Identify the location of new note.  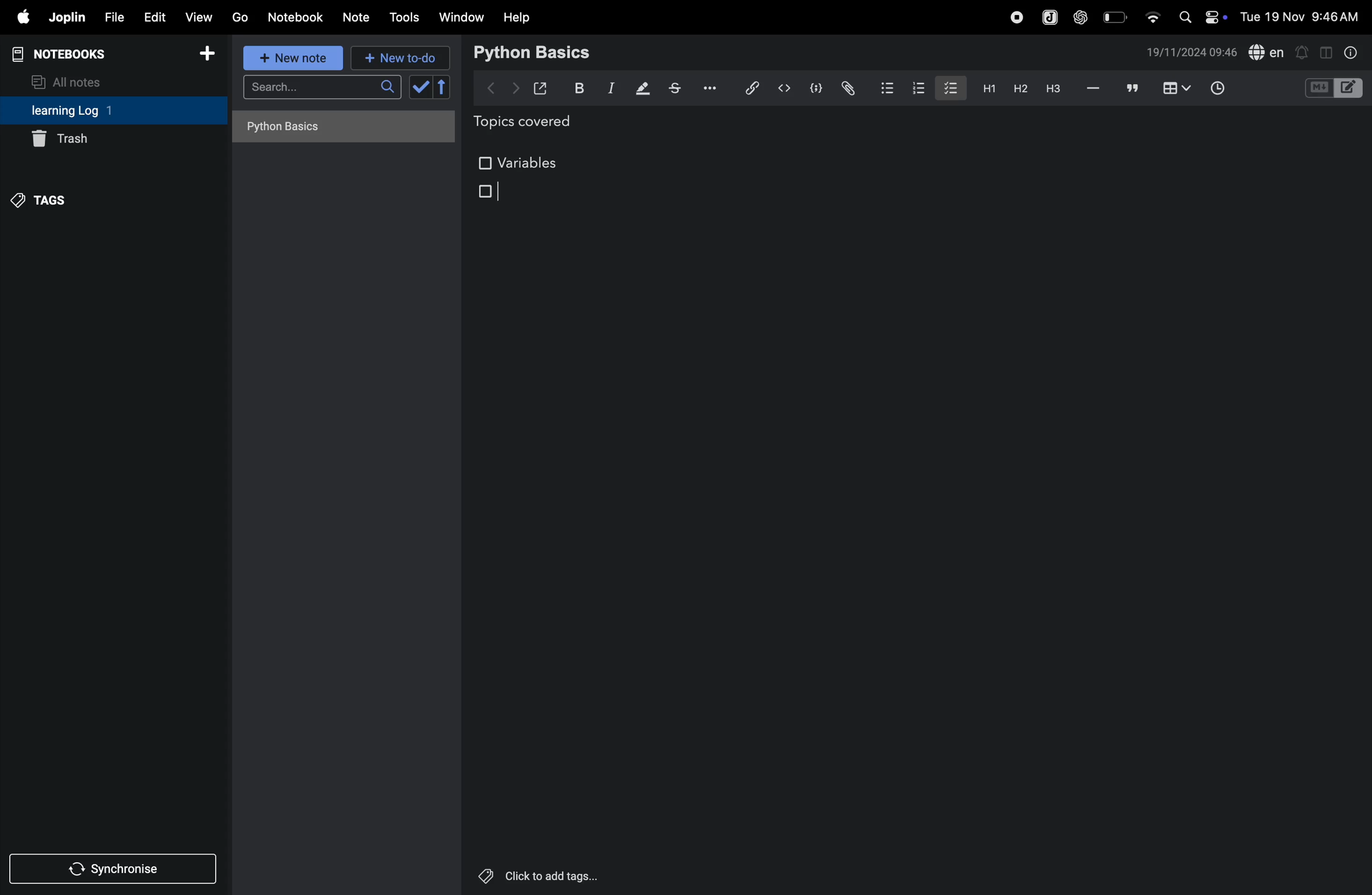
(290, 58).